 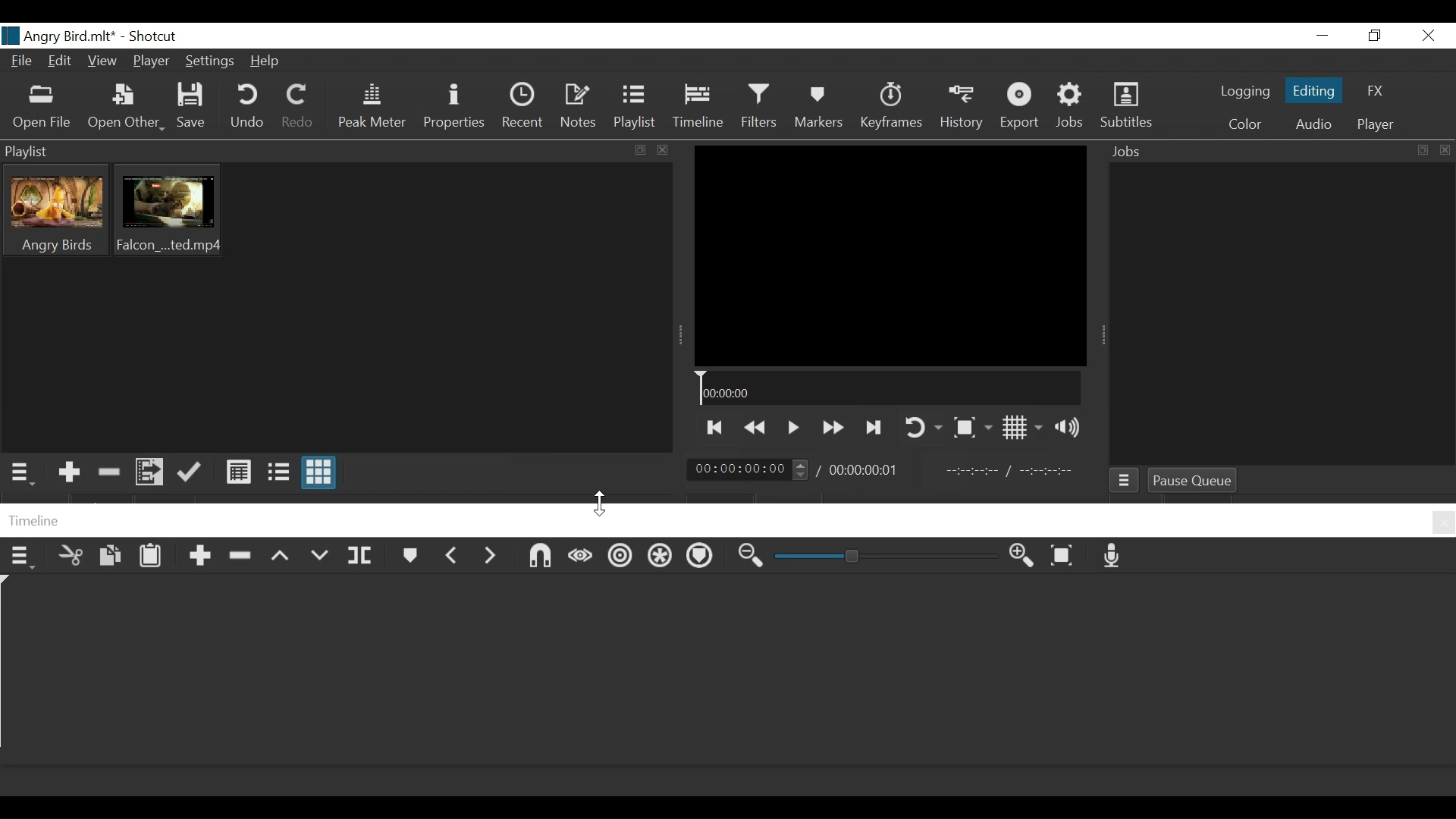 I want to click on Recent, so click(x=526, y=108).